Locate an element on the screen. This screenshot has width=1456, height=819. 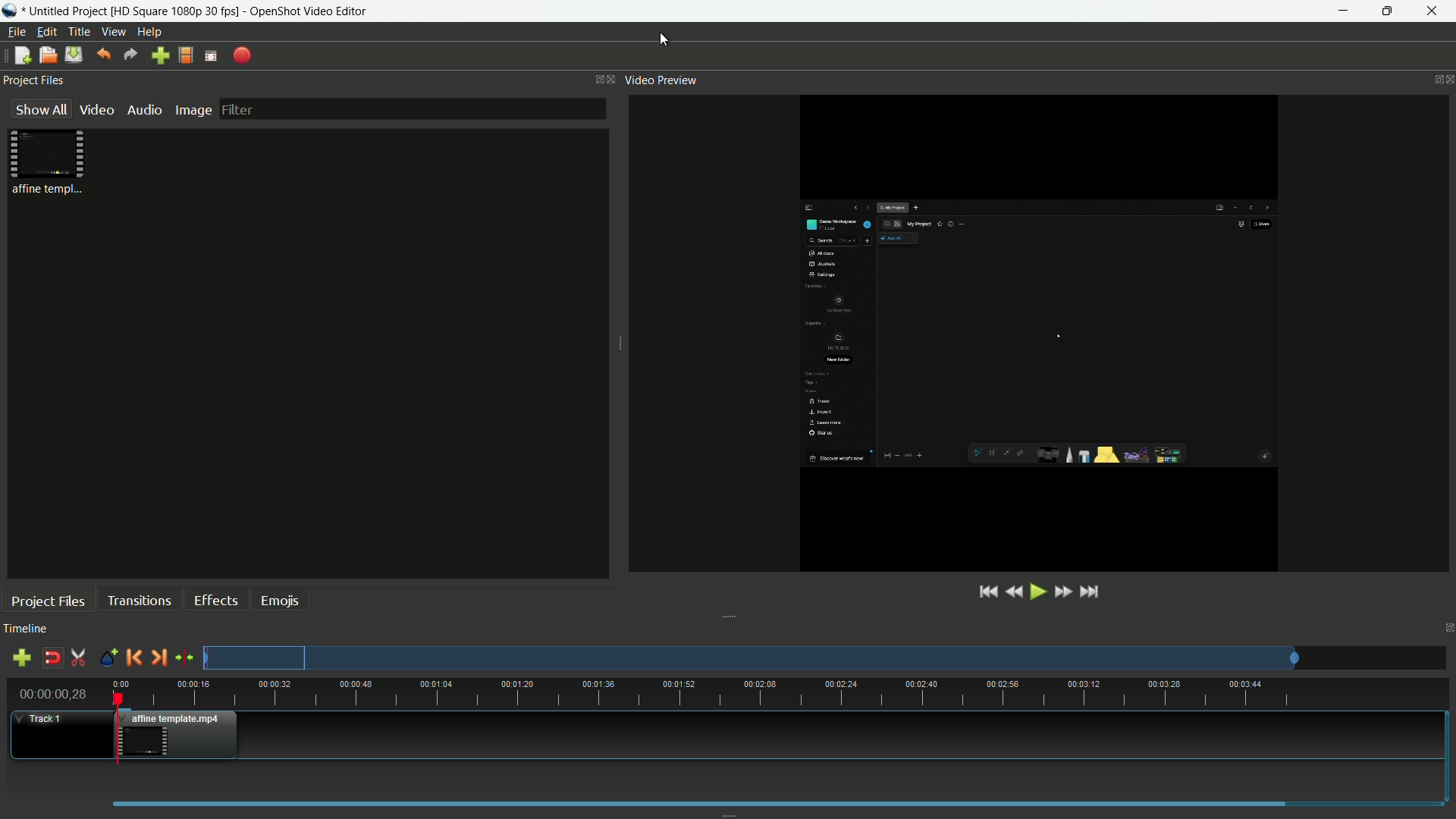
profile is located at coordinates (174, 10).